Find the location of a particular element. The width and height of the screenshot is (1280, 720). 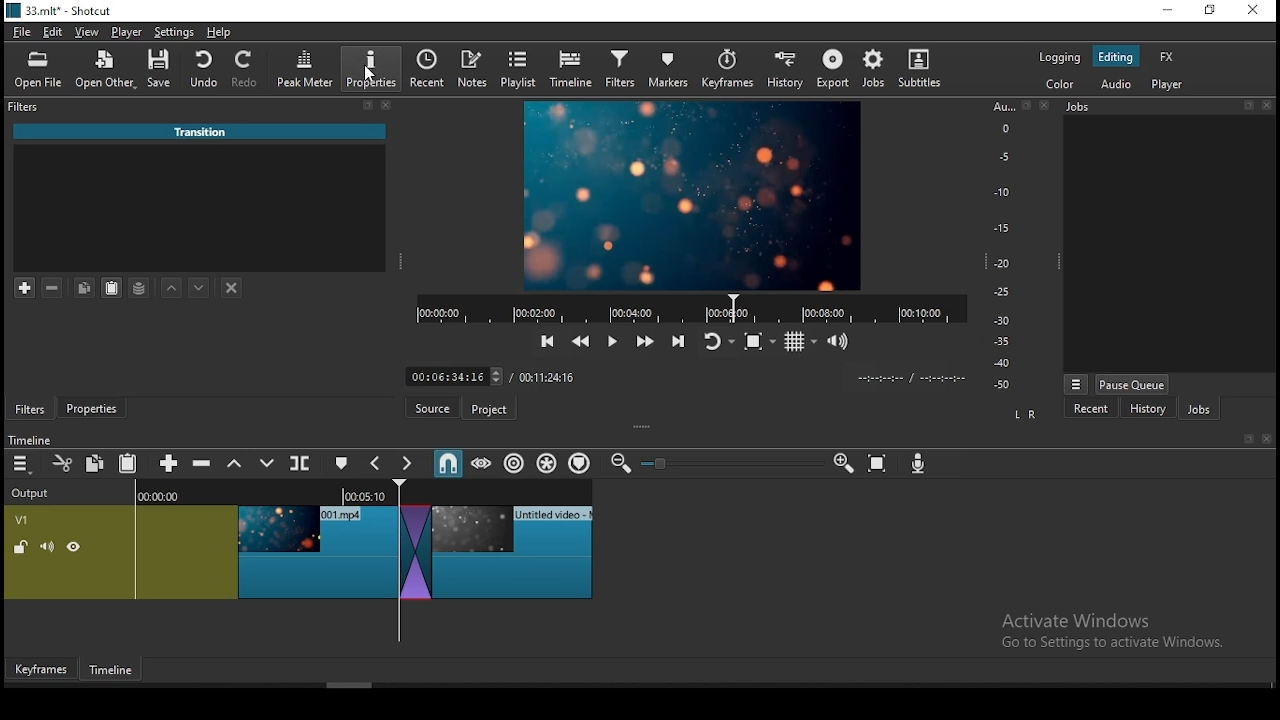

properties is located at coordinates (96, 409).